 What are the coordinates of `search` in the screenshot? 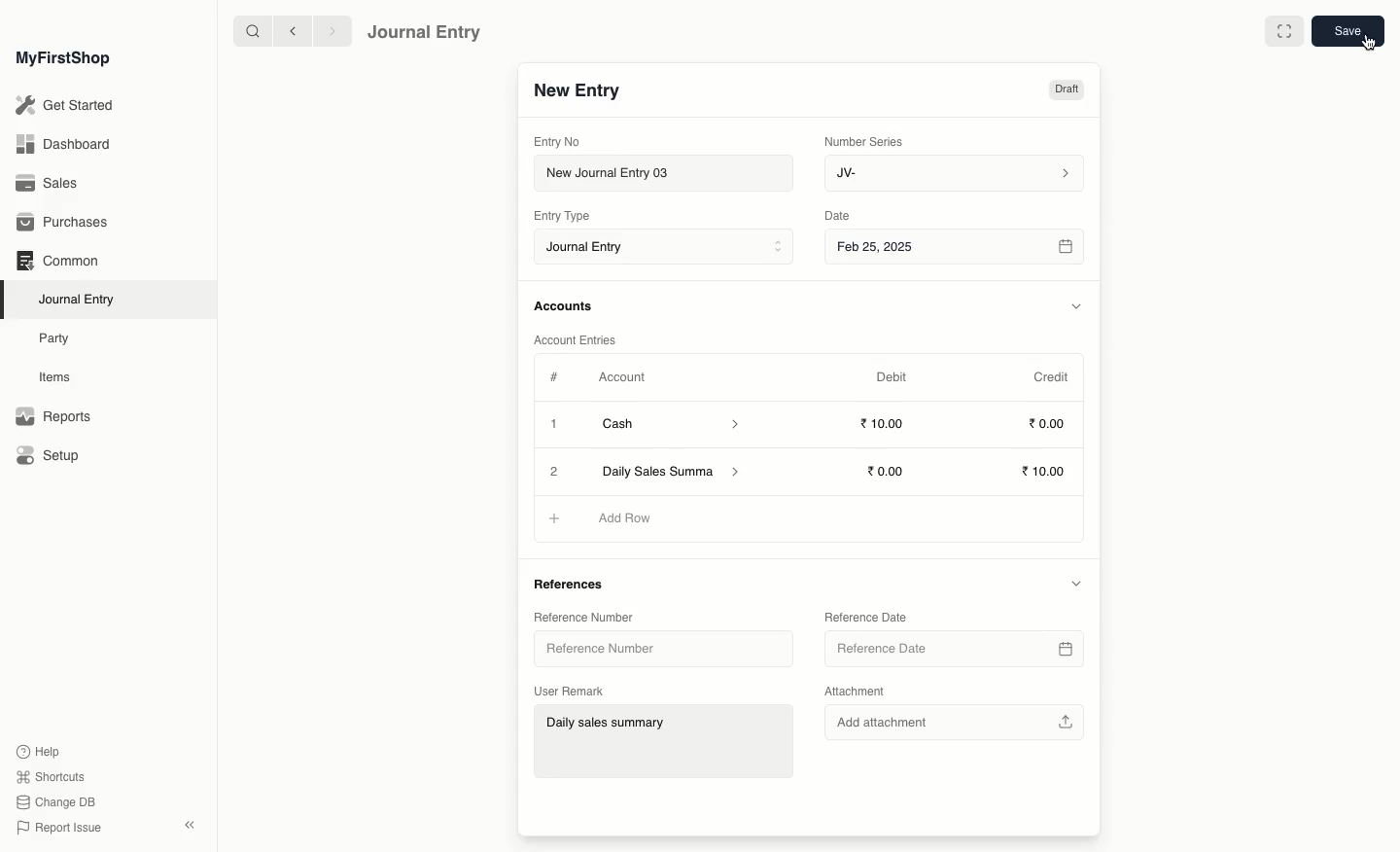 It's located at (248, 31).